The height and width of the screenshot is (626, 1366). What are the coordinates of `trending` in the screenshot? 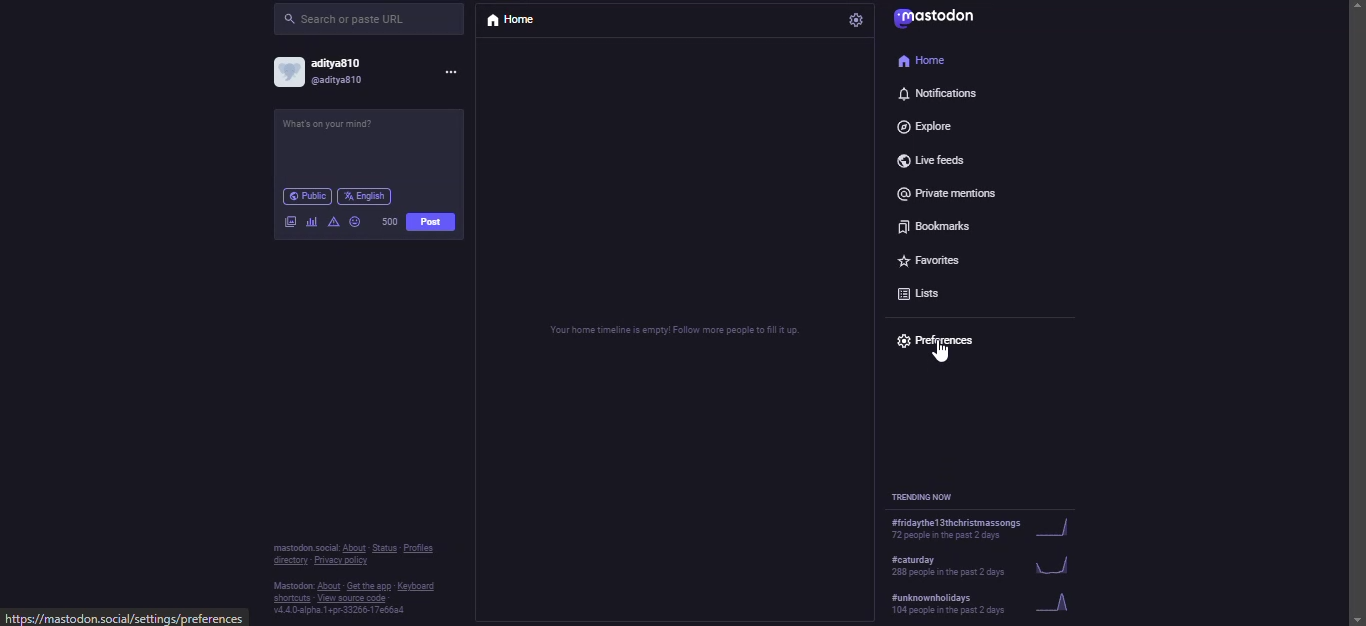 It's located at (997, 570).